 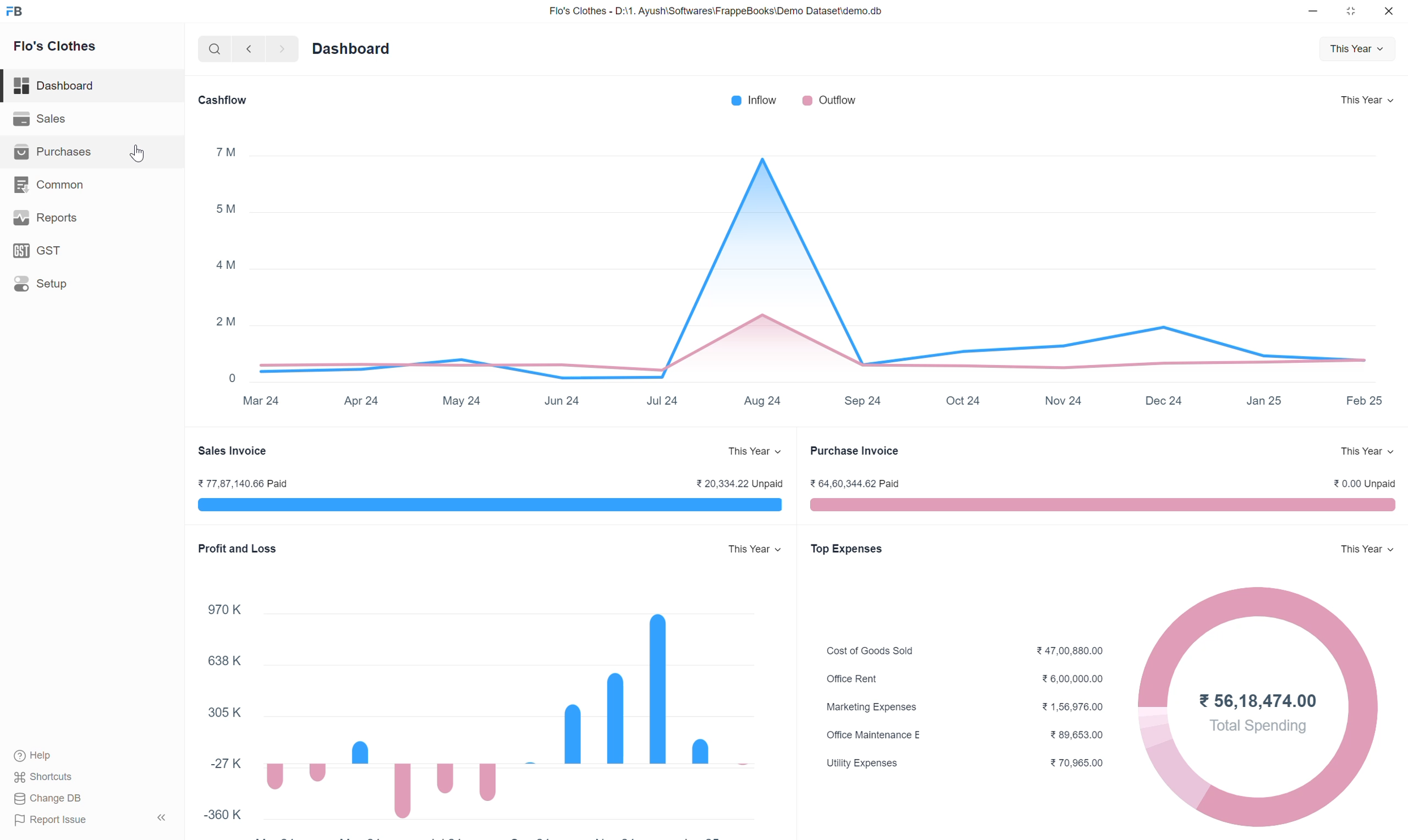 I want to click on Nov 24, so click(x=1063, y=401).